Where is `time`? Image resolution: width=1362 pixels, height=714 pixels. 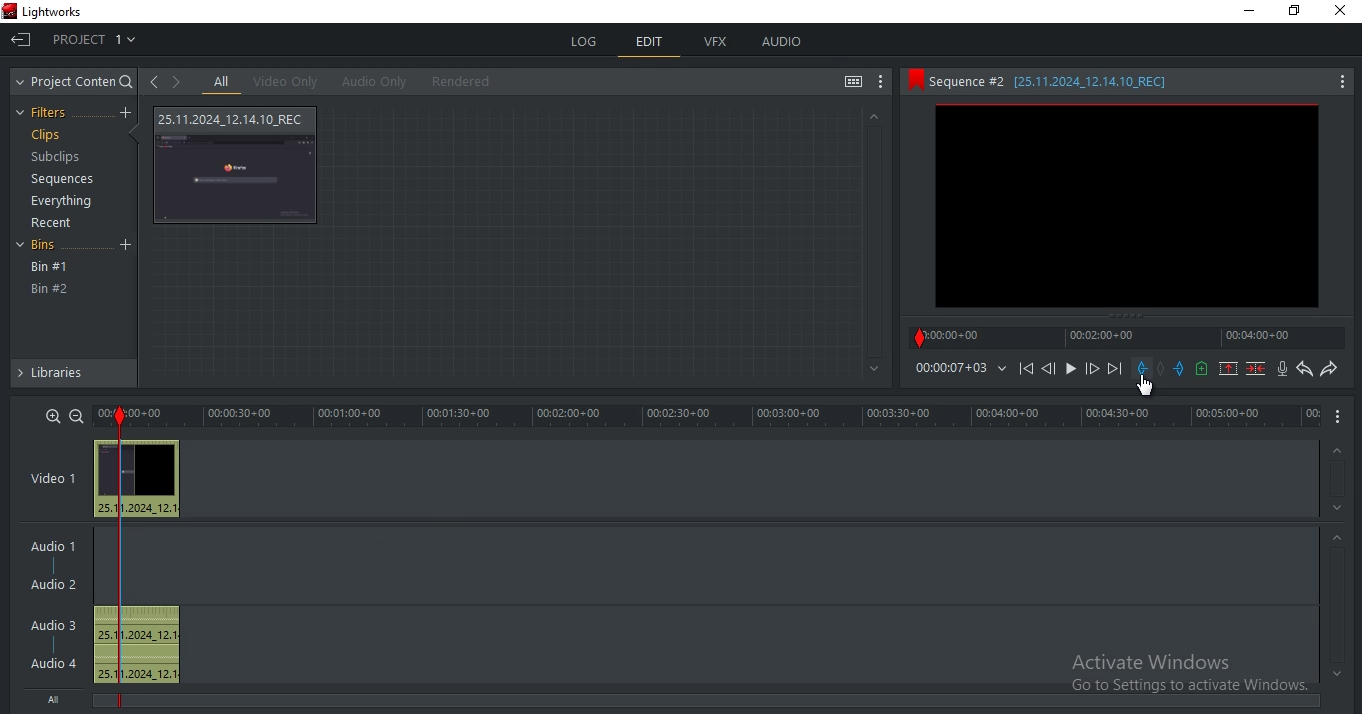 time is located at coordinates (707, 417).